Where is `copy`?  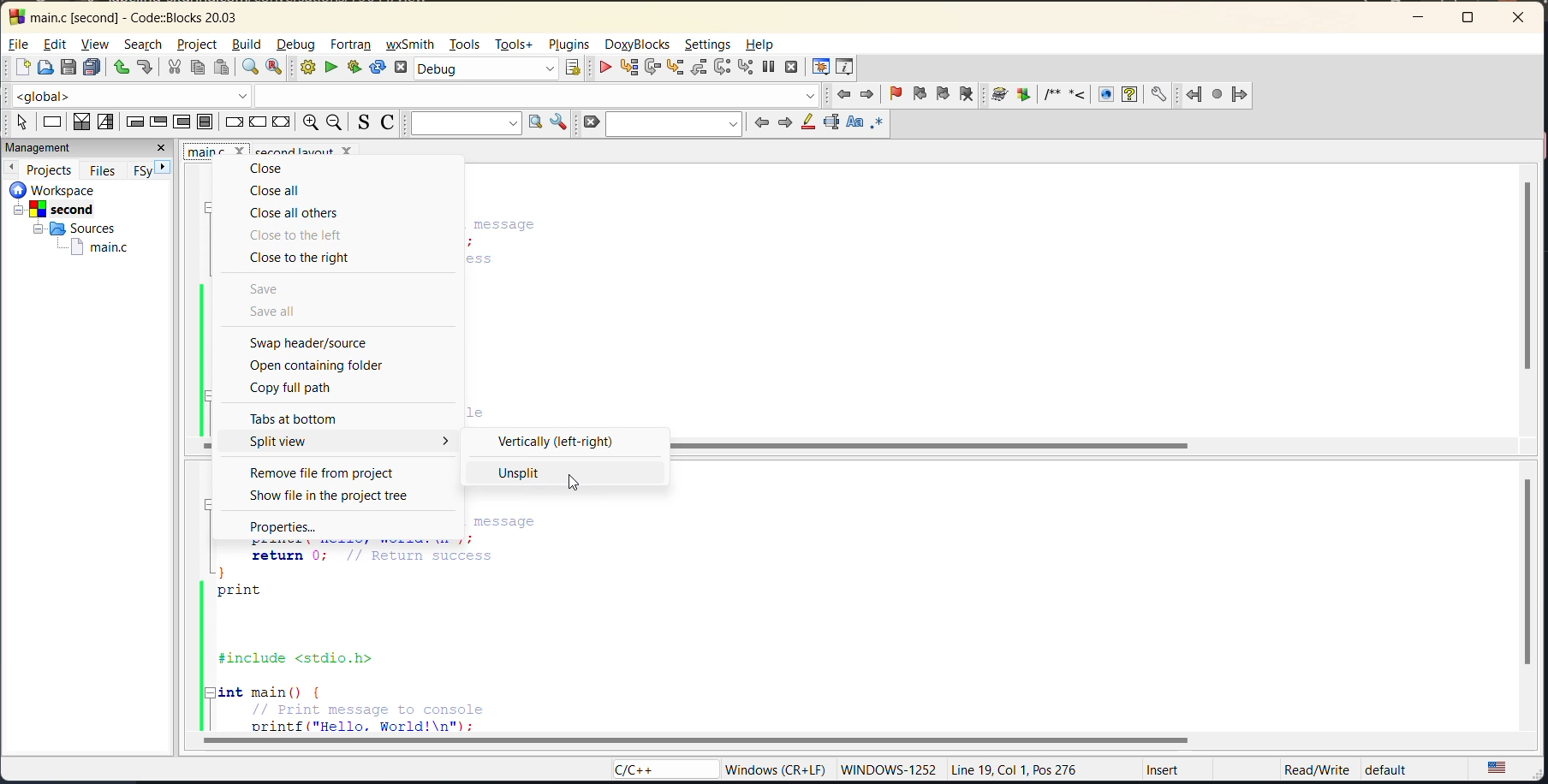 copy is located at coordinates (197, 68).